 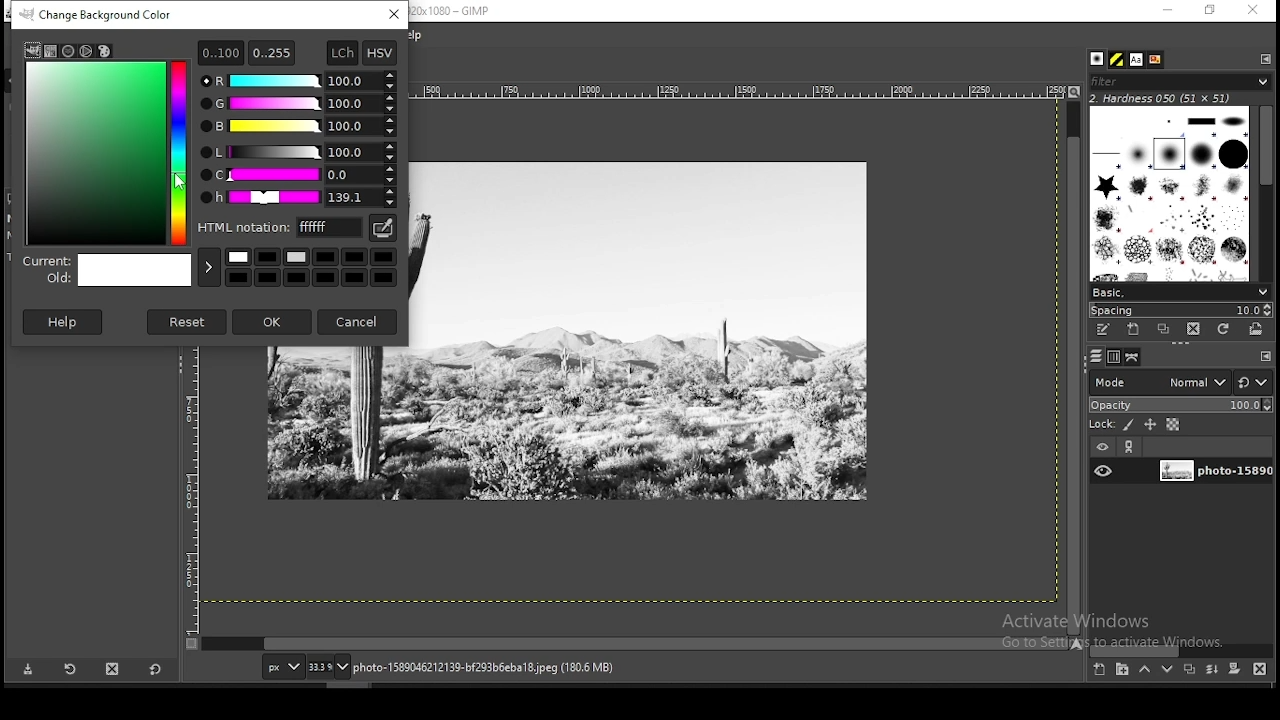 What do you see at coordinates (1260, 668) in the screenshot?
I see `delete this layer` at bounding box center [1260, 668].